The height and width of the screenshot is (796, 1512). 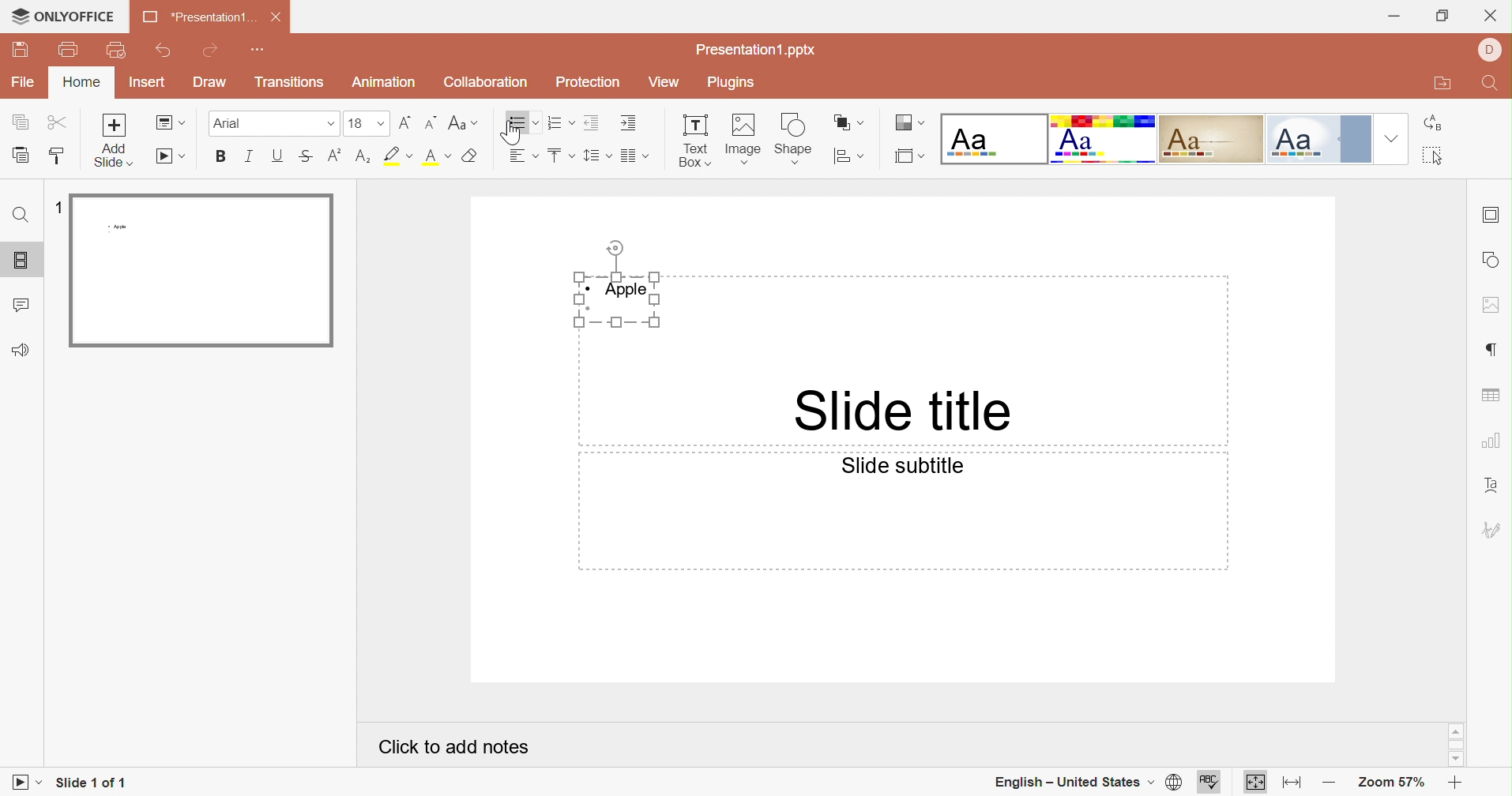 What do you see at coordinates (912, 157) in the screenshot?
I see `Select slide size` at bounding box center [912, 157].